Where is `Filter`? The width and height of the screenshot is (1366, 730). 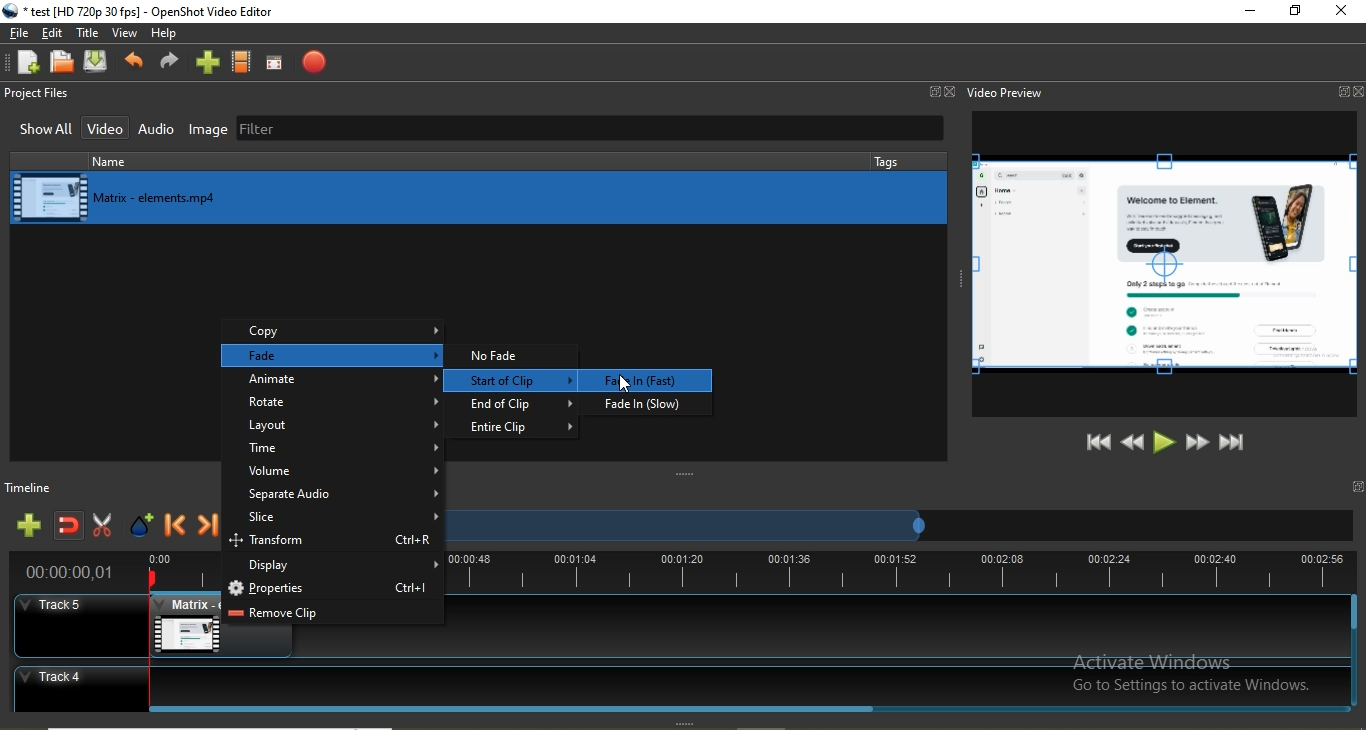
Filter is located at coordinates (590, 130).